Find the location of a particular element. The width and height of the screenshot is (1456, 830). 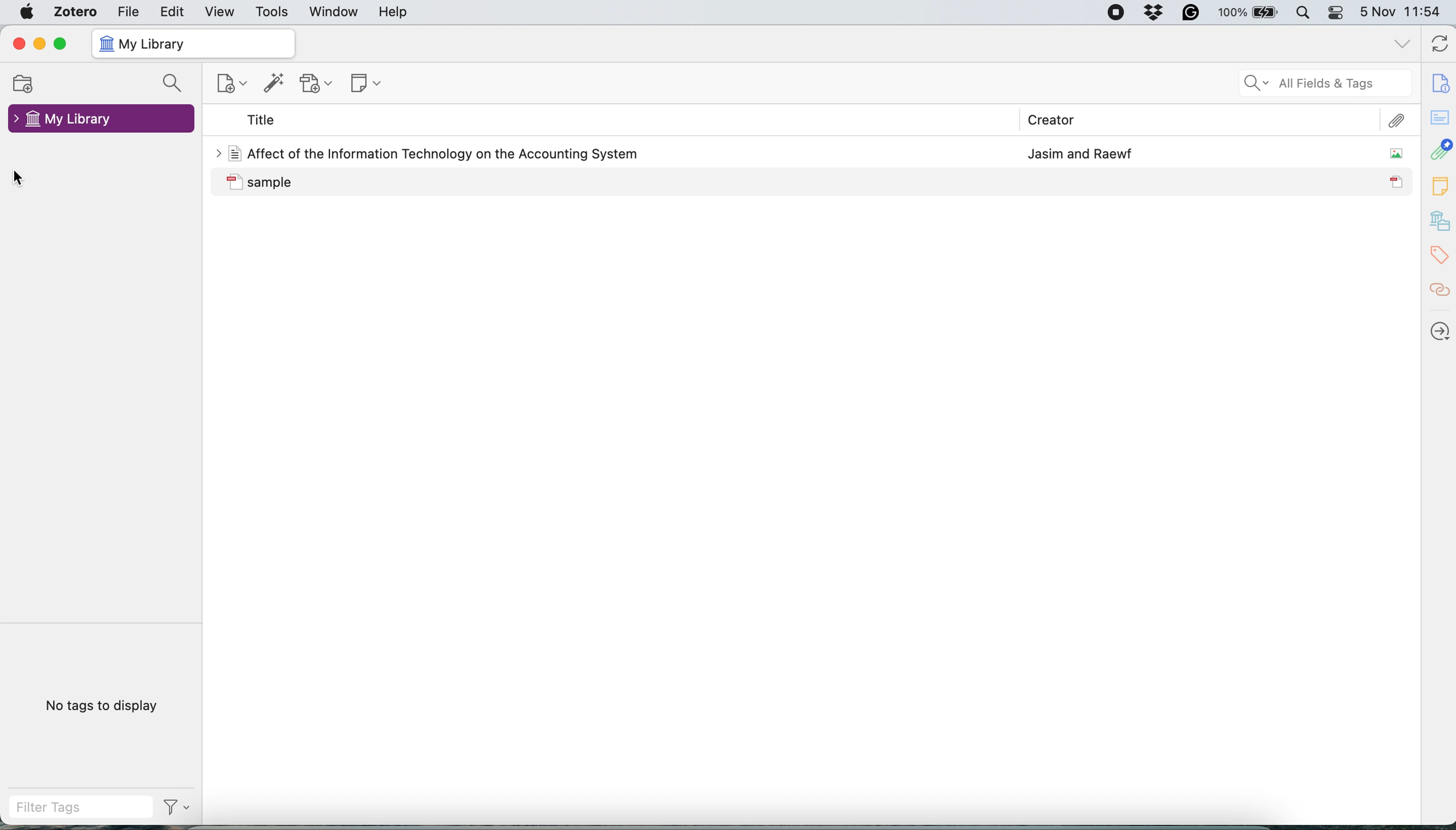

library collapsed is located at coordinates (102, 120).